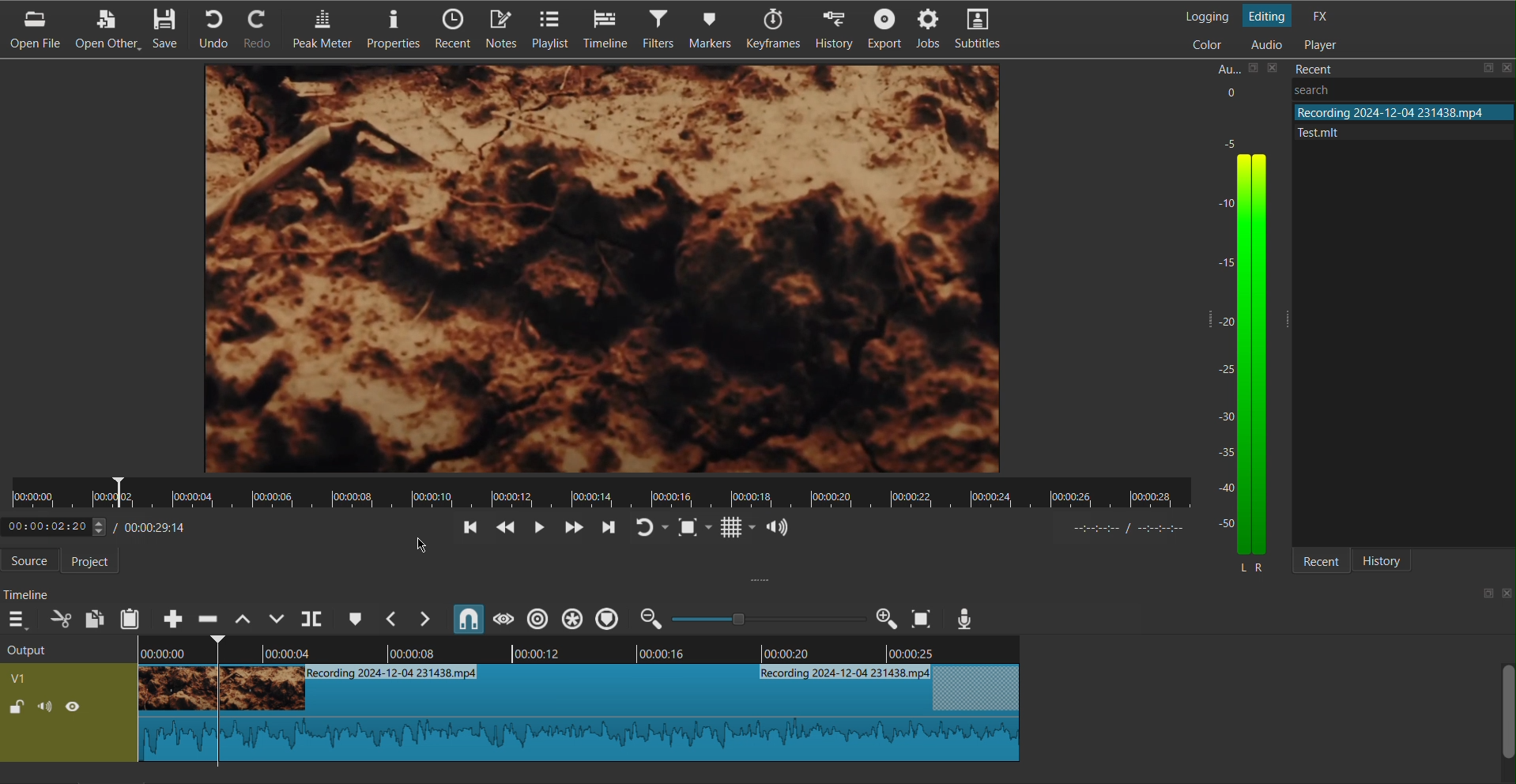  Describe the element at coordinates (572, 528) in the screenshot. I see `Skip Forward` at that location.